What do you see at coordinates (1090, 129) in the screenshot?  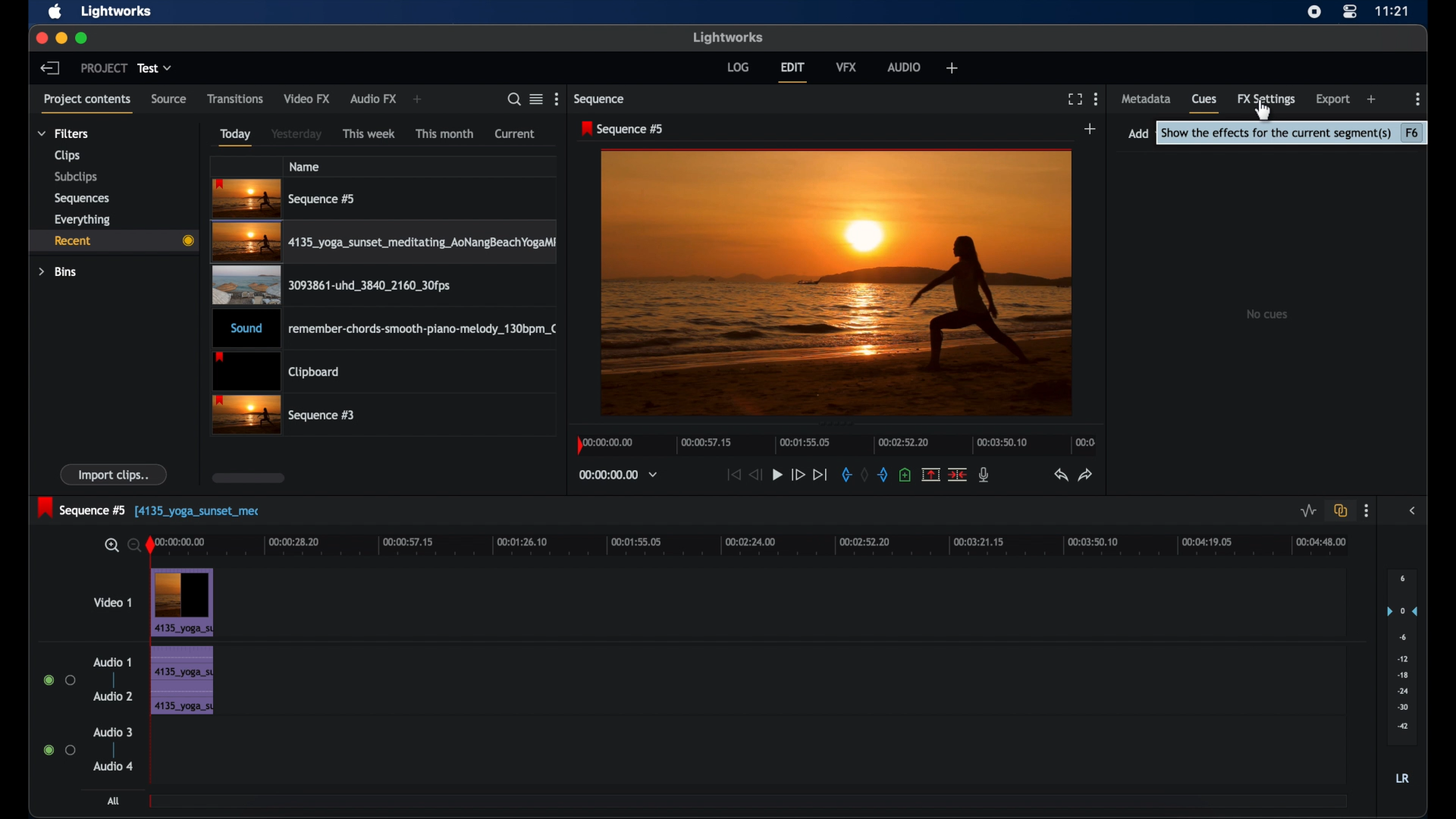 I see `add` at bounding box center [1090, 129].